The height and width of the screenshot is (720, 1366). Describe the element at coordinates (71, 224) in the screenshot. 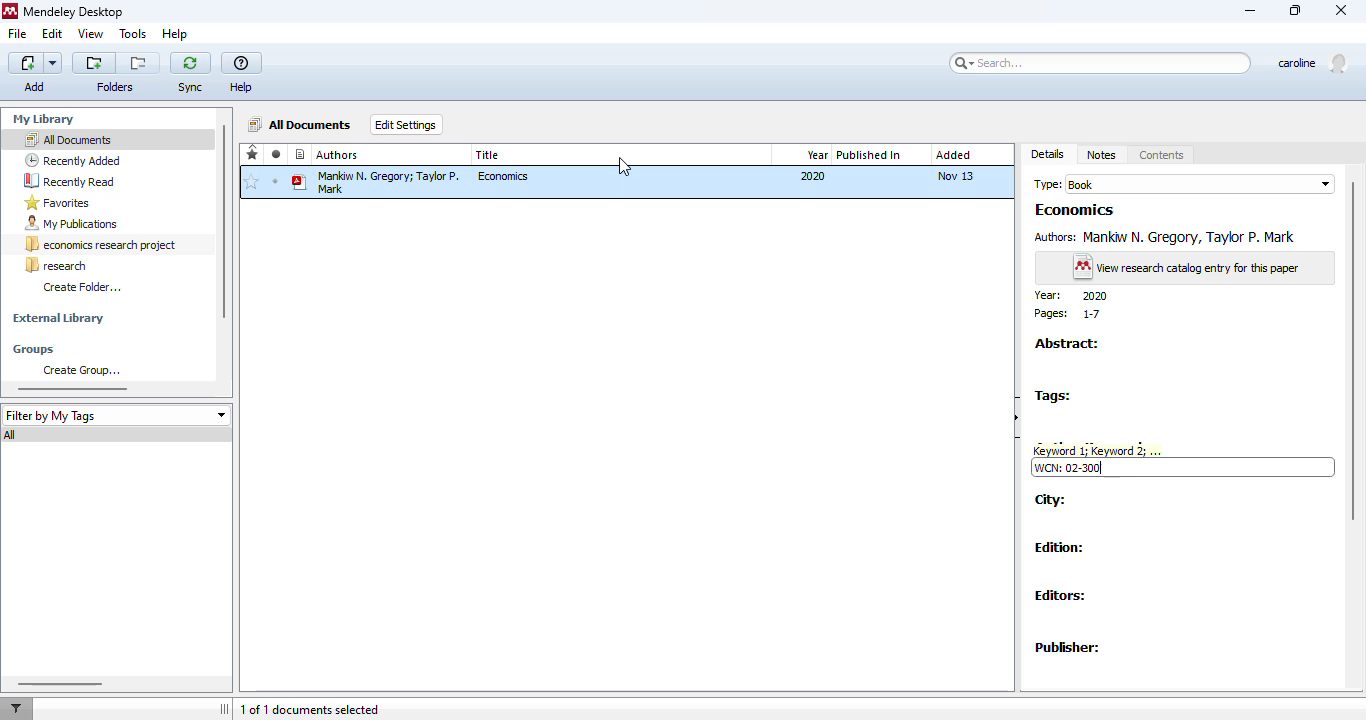

I see `my publications` at that location.